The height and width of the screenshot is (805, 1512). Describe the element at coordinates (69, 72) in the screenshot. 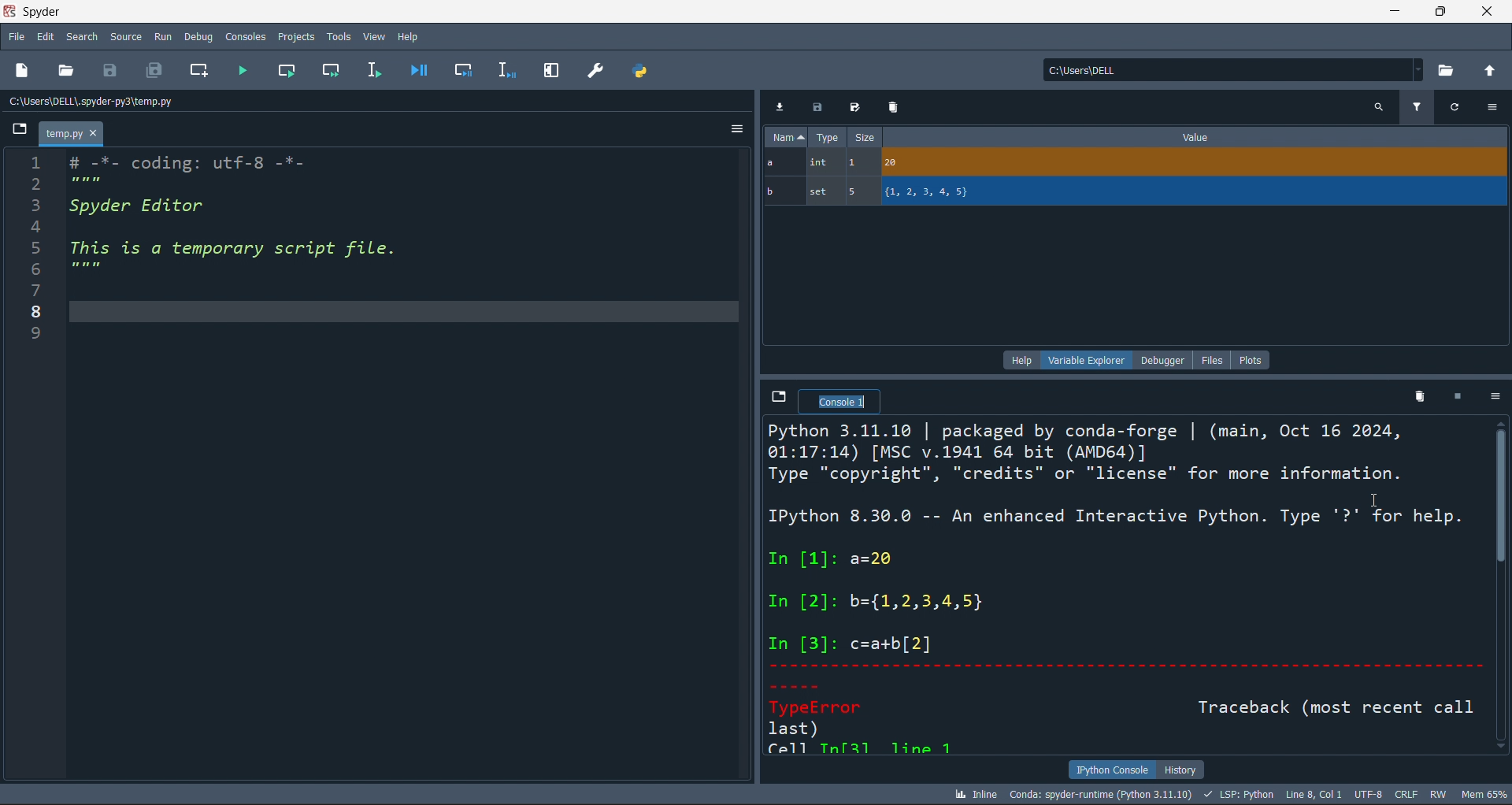

I see `open file` at that location.